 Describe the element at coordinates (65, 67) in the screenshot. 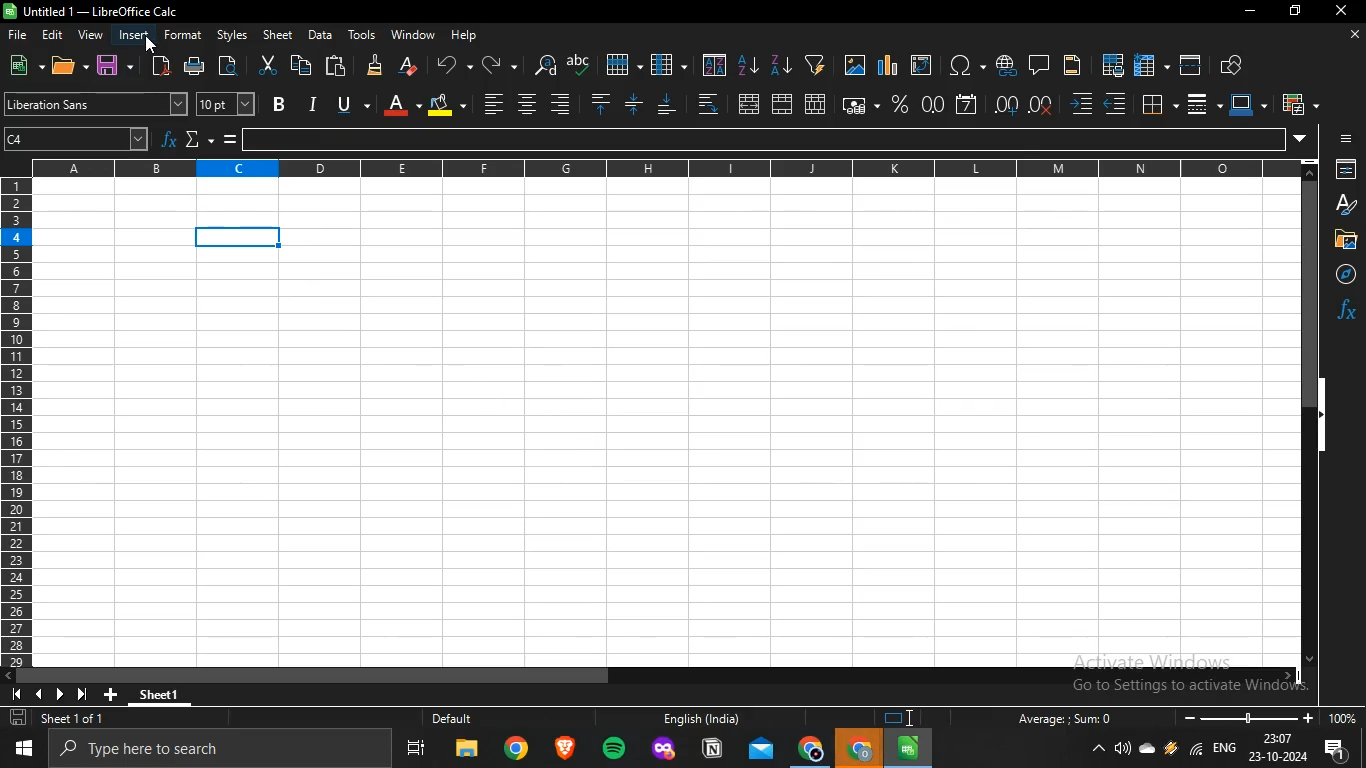

I see `open` at that location.